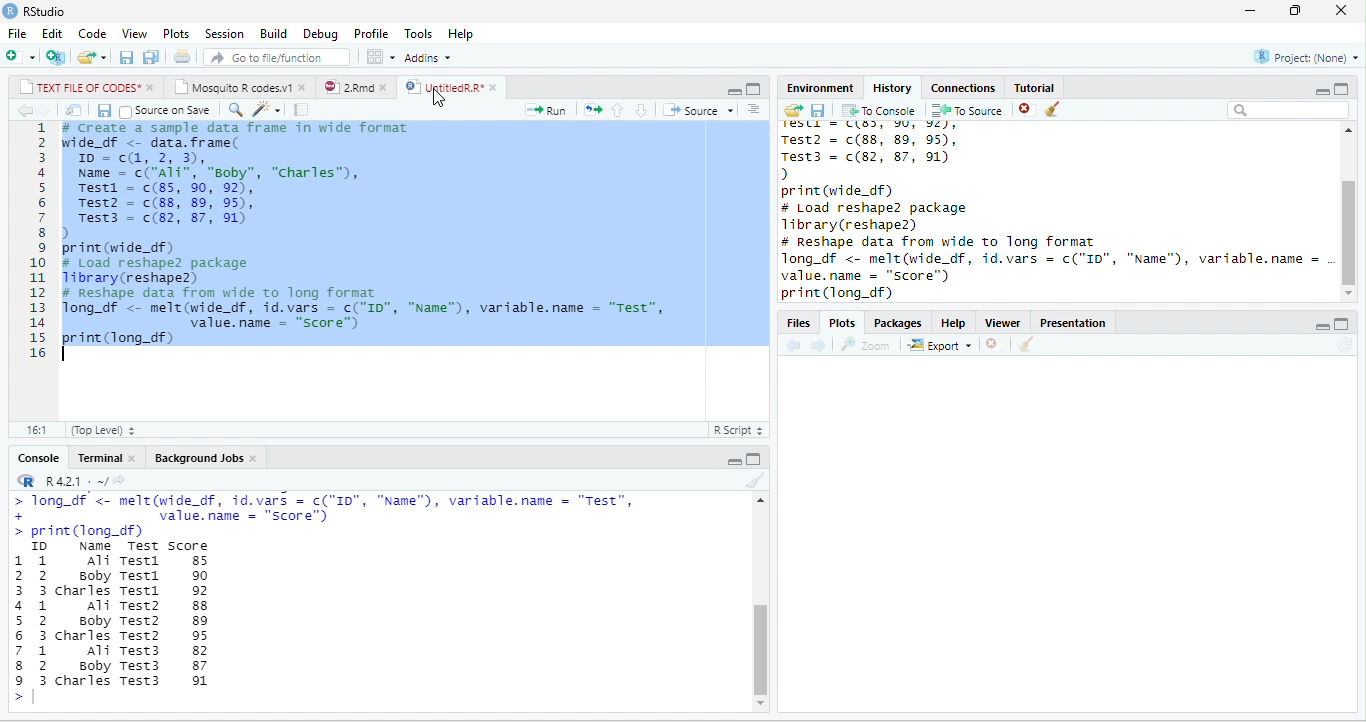 The height and width of the screenshot is (722, 1366). I want to click on UntitledR.R, so click(443, 87).